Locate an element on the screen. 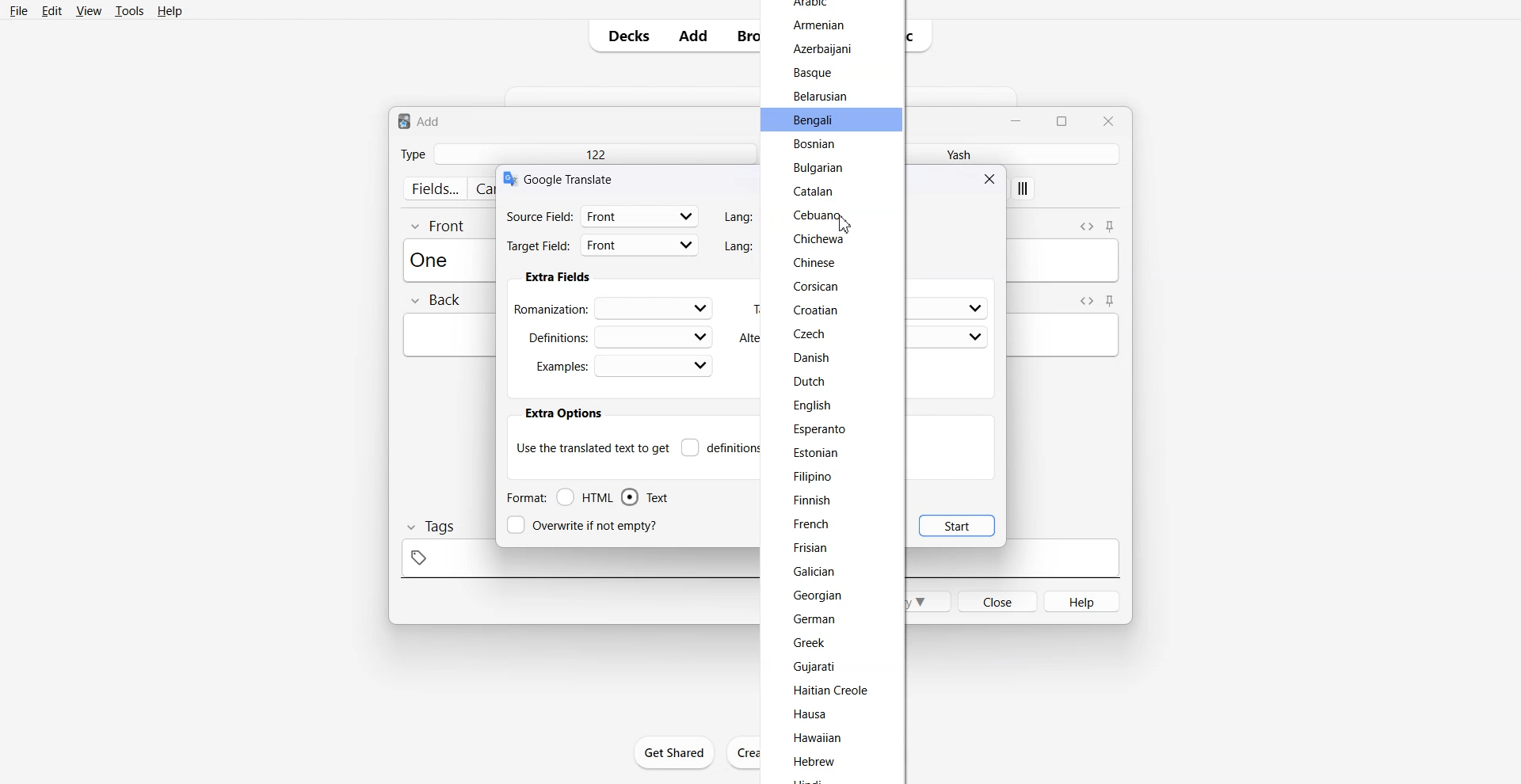  Cebuano is located at coordinates (815, 214).